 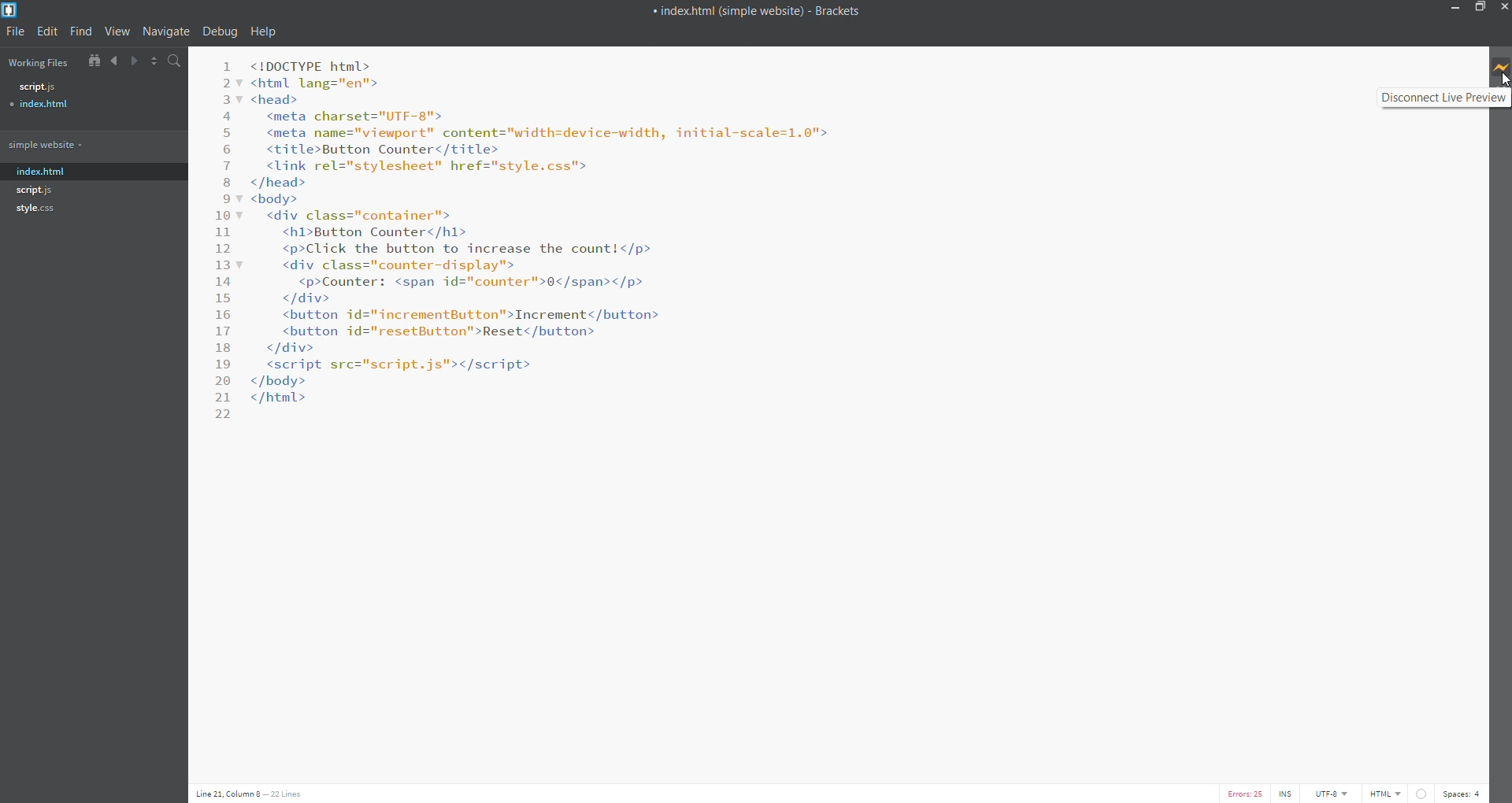 I want to click on script. js, so click(x=35, y=190).